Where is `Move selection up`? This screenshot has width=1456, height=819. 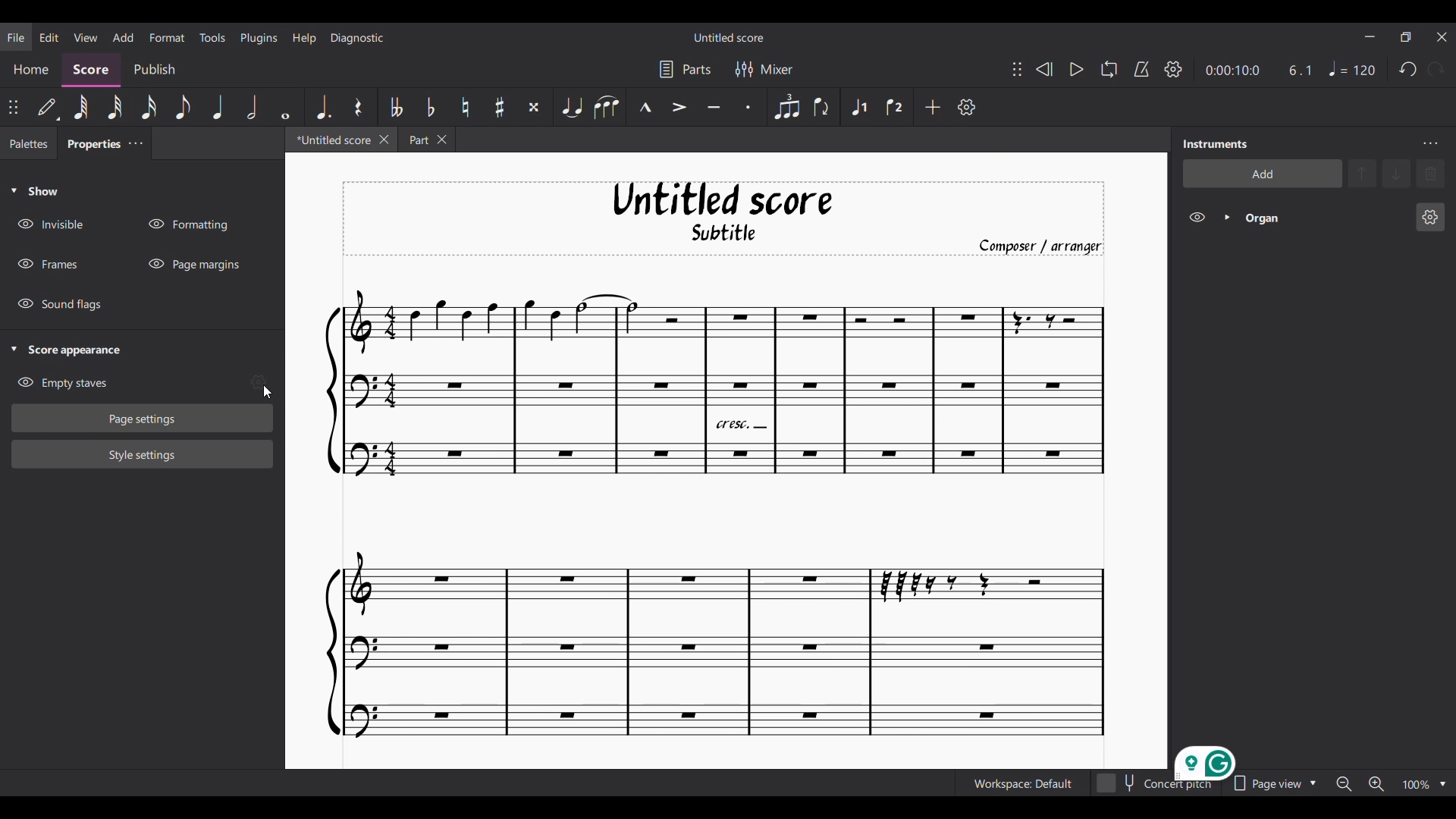 Move selection up is located at coordinates (1362, 173).